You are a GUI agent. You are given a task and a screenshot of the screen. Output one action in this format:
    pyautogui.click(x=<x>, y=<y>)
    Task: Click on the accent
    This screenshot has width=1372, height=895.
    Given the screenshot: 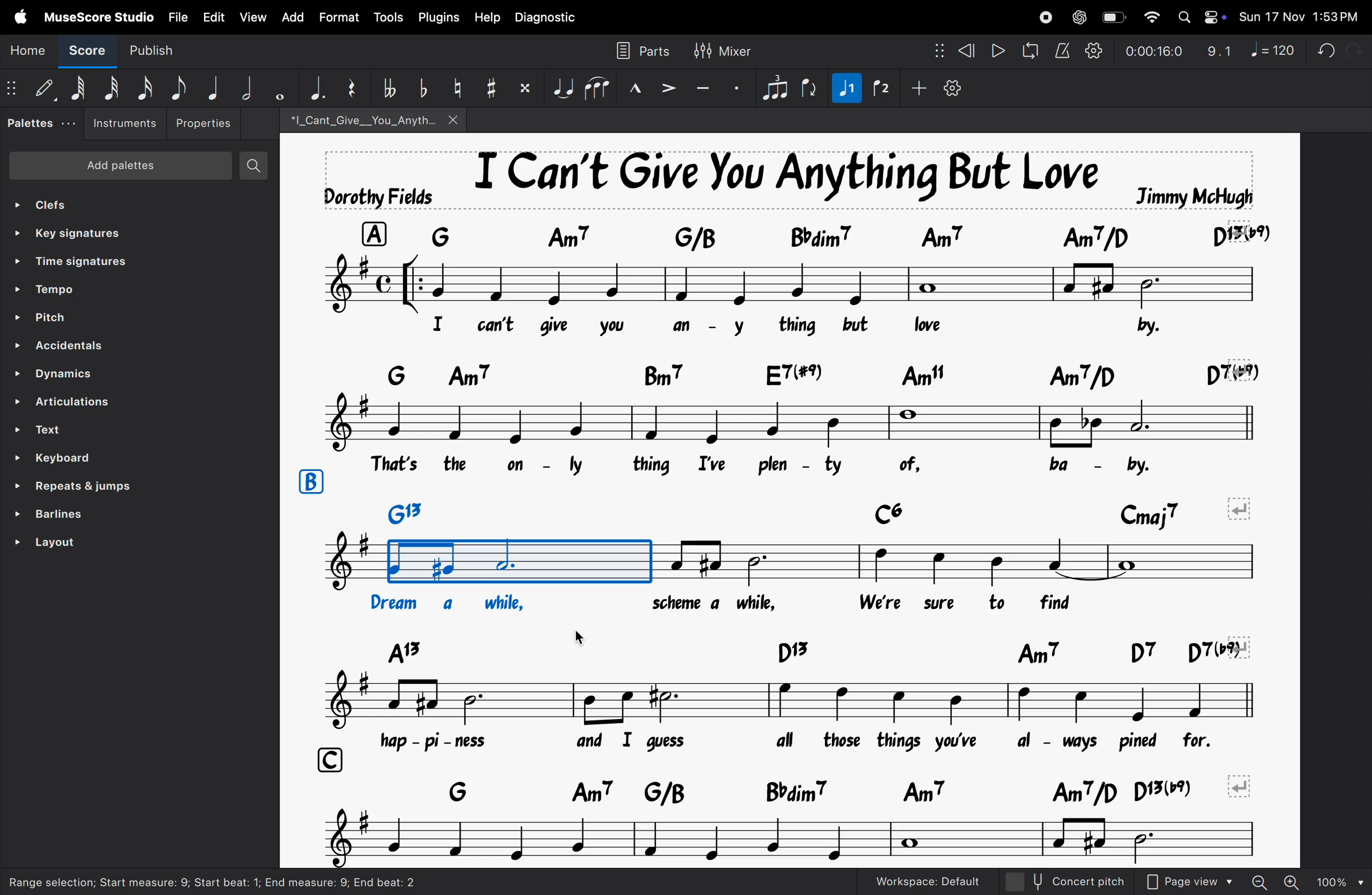 What is the action you would take?
    pyautogui.click(x=670, y=88)
    